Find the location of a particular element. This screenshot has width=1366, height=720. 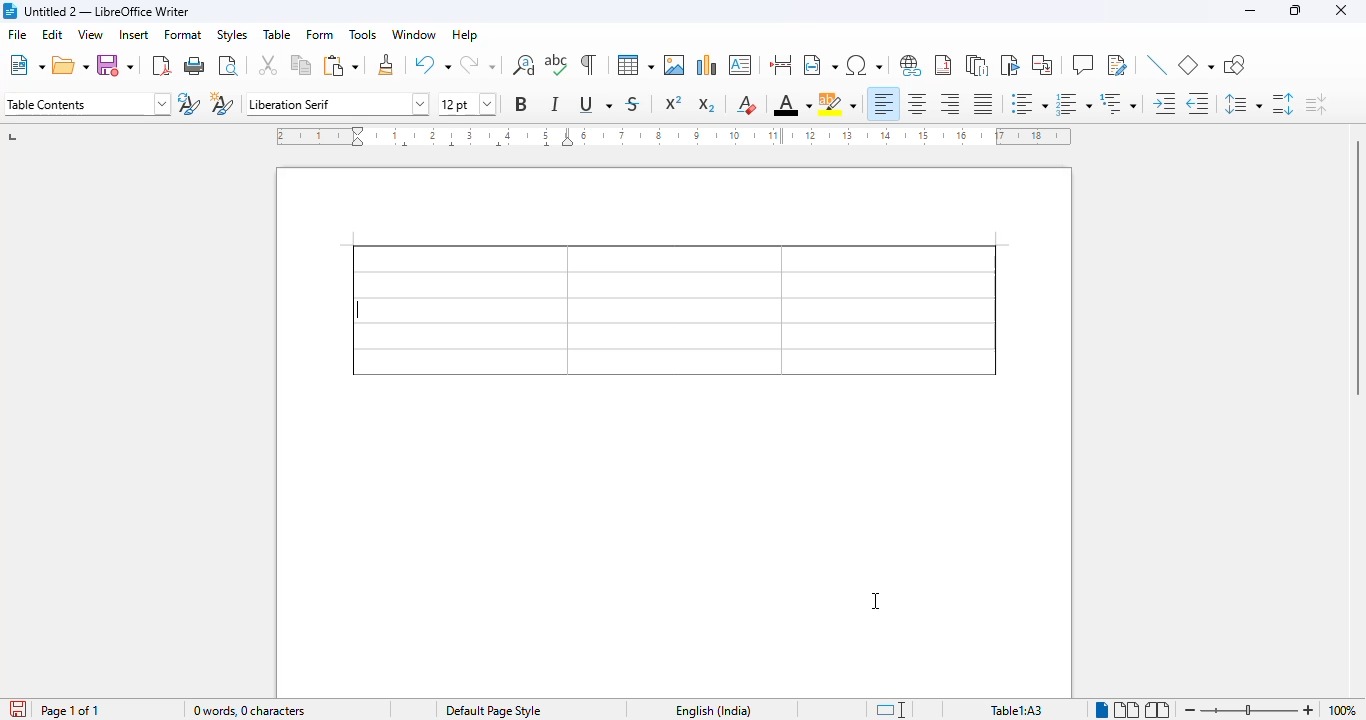

increase paragraph spacing is located at coordinates (1282, 104).